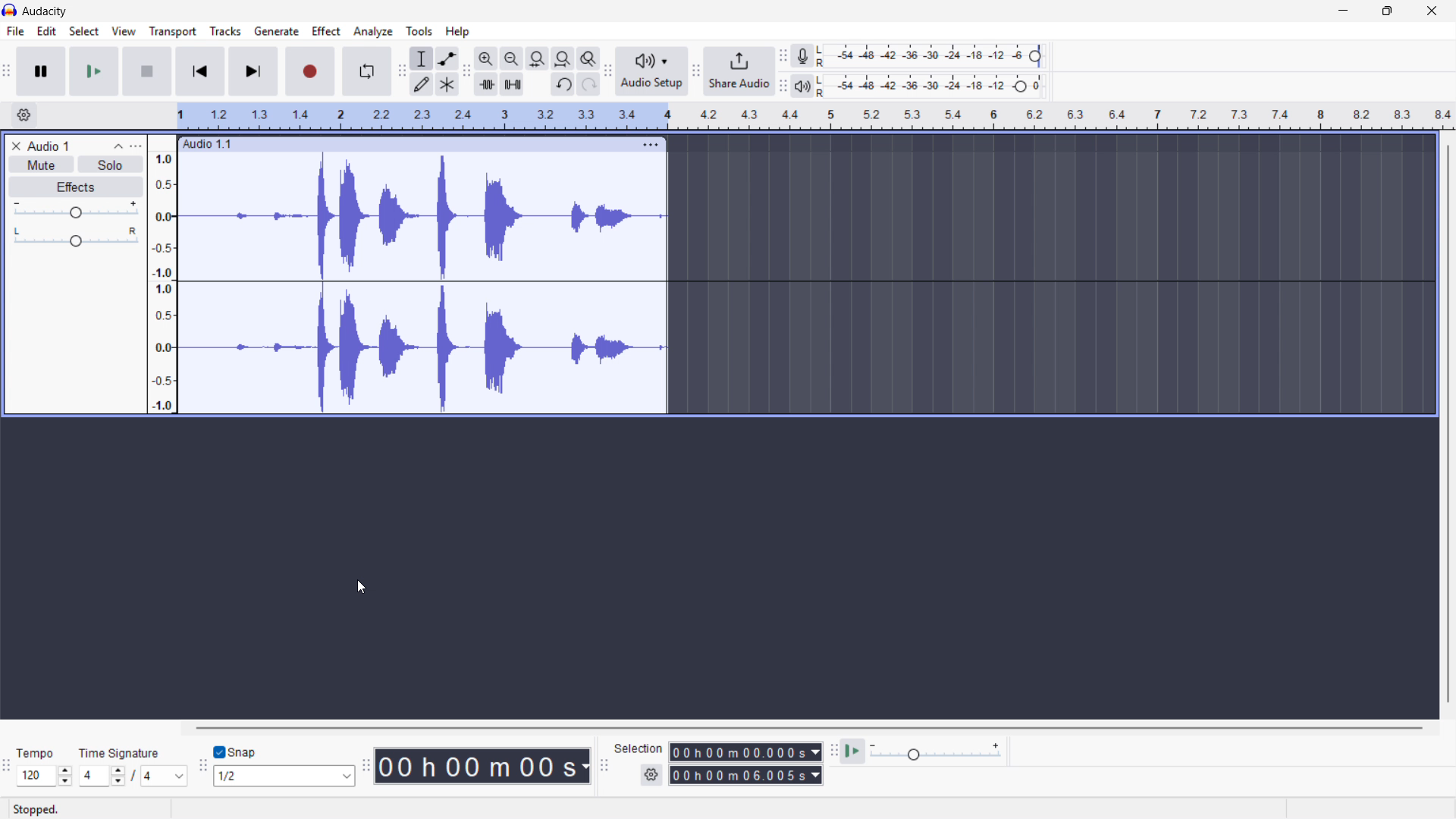  I want to click on Share audio toolbar, so click(696, 71).